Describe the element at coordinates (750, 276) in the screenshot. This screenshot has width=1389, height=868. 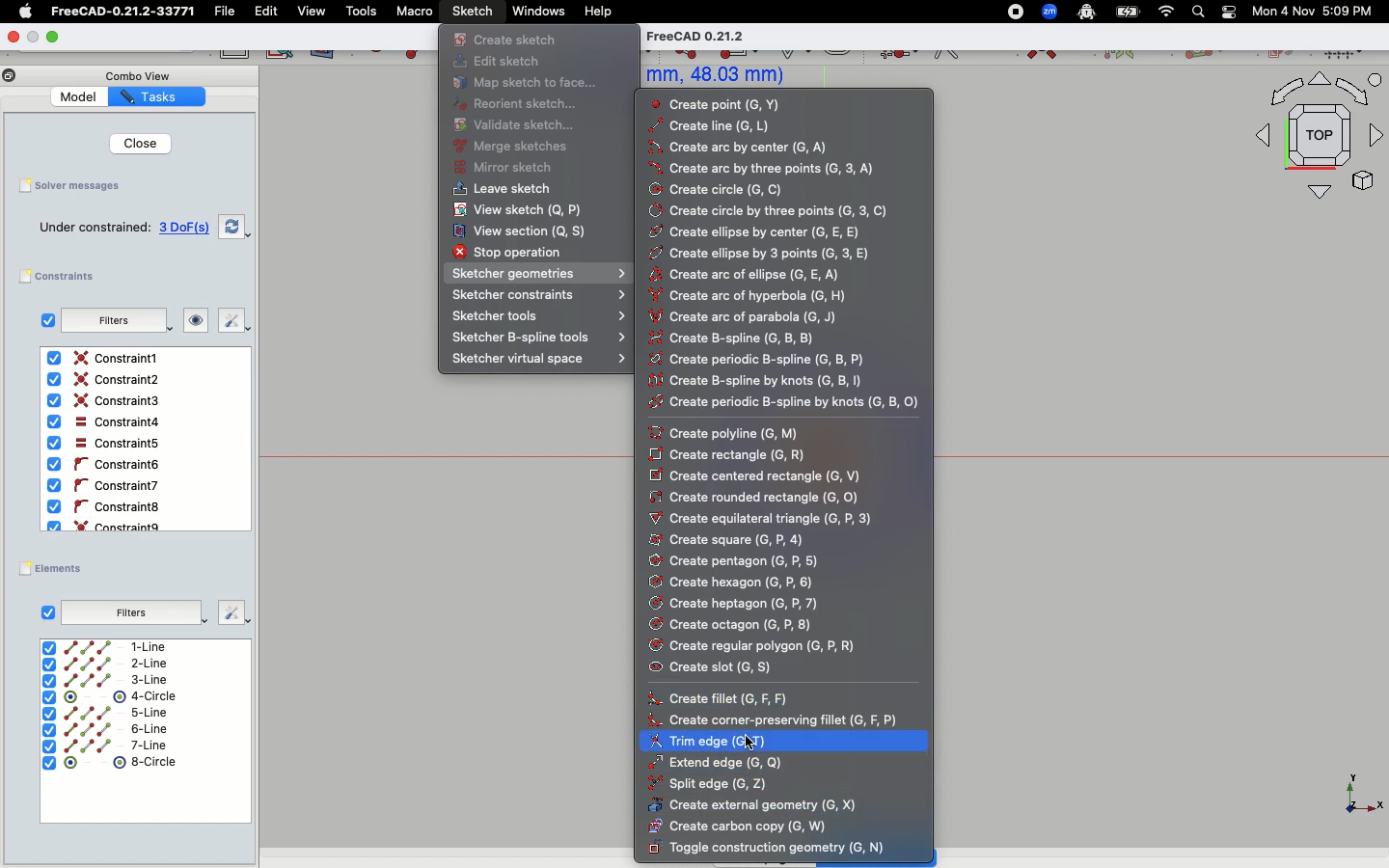
I see `Create arc of ellipse` at that location.